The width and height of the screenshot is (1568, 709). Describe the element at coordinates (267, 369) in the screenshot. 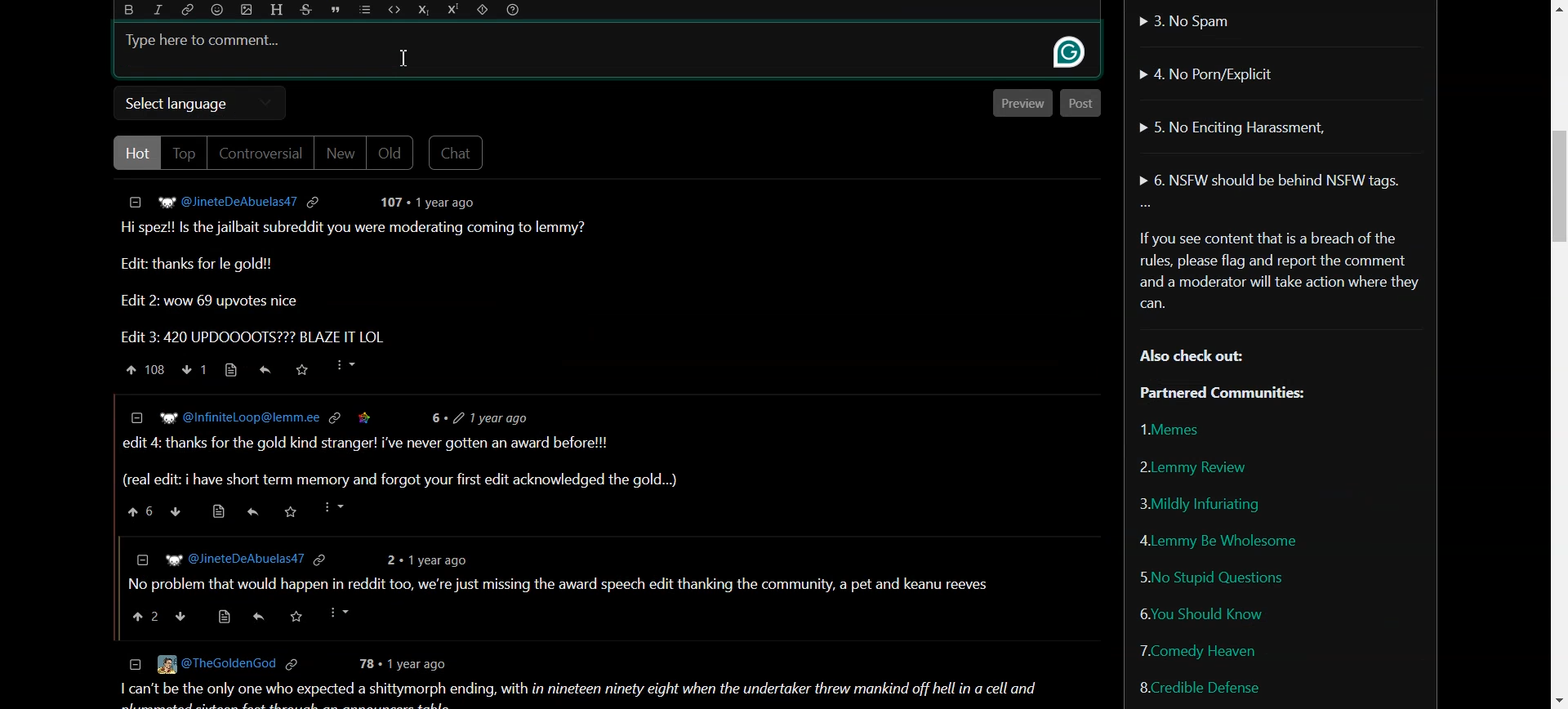

I see `Reply` at that location.